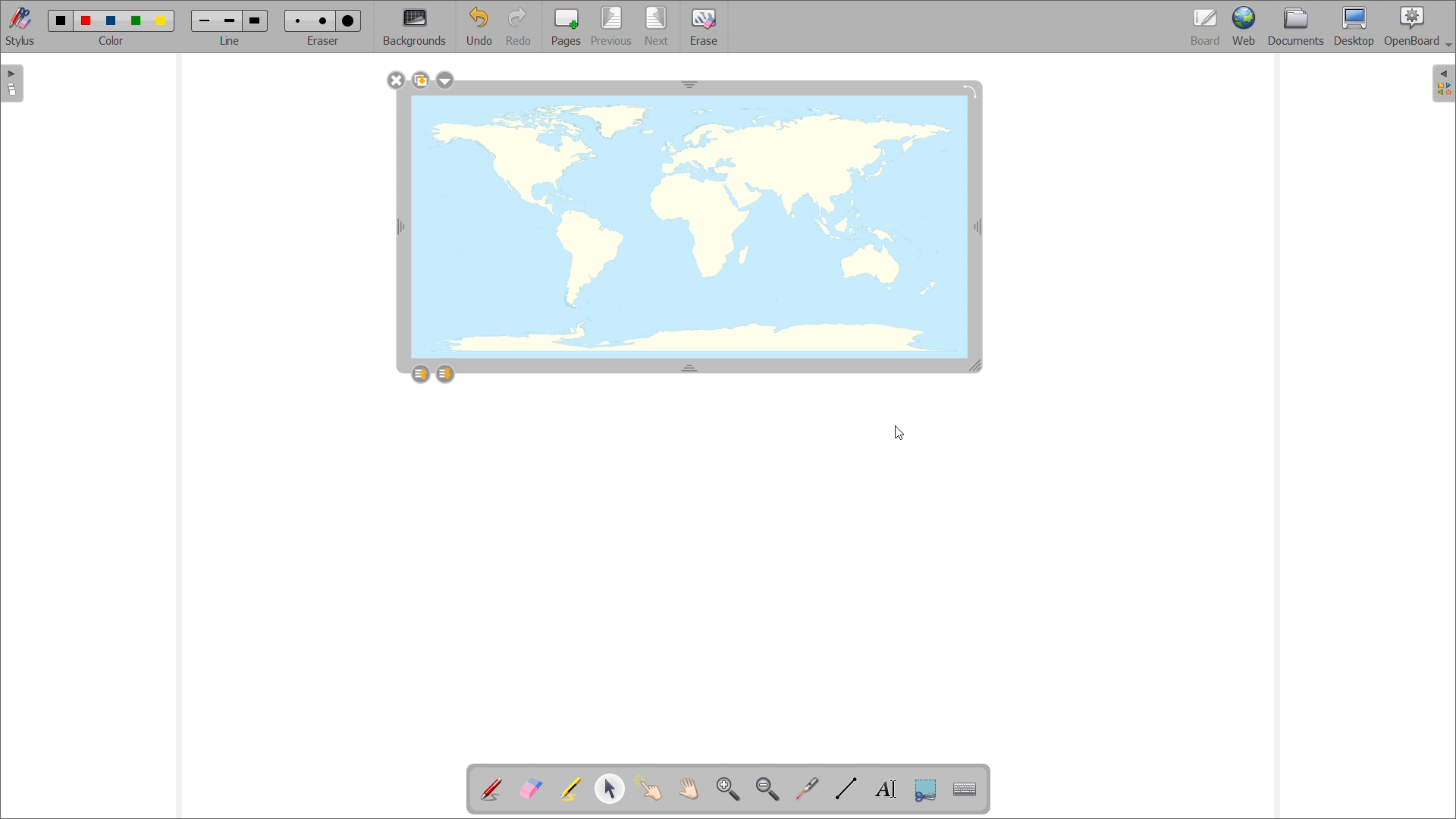 The width and height of the screenshot is (1456, 819). What do you see at coordinates (136, 22) in the screenshot?
I see `green` at bounding box center [136, 22].